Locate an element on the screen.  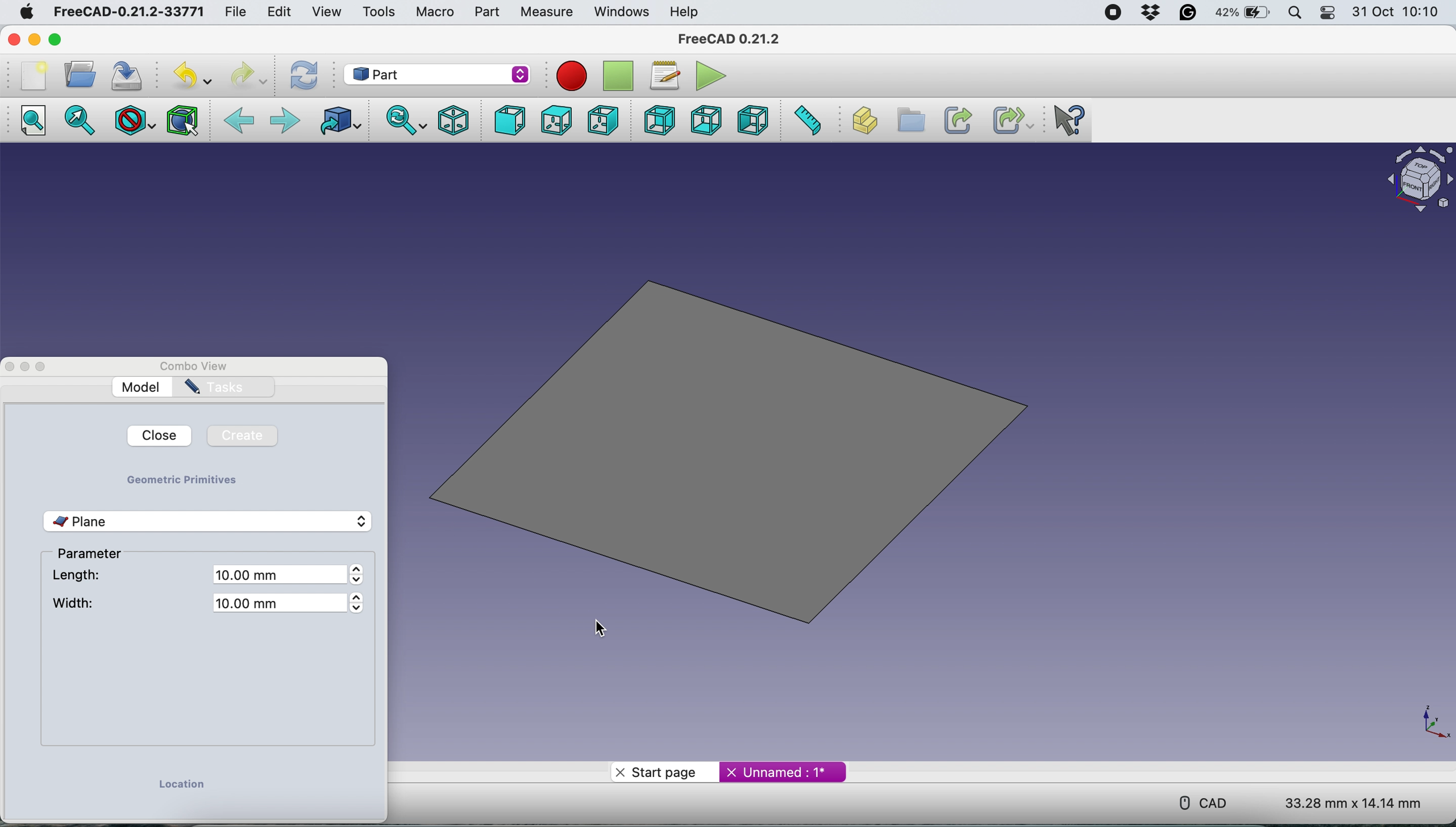
Tools is located at coordinates (381, 11).